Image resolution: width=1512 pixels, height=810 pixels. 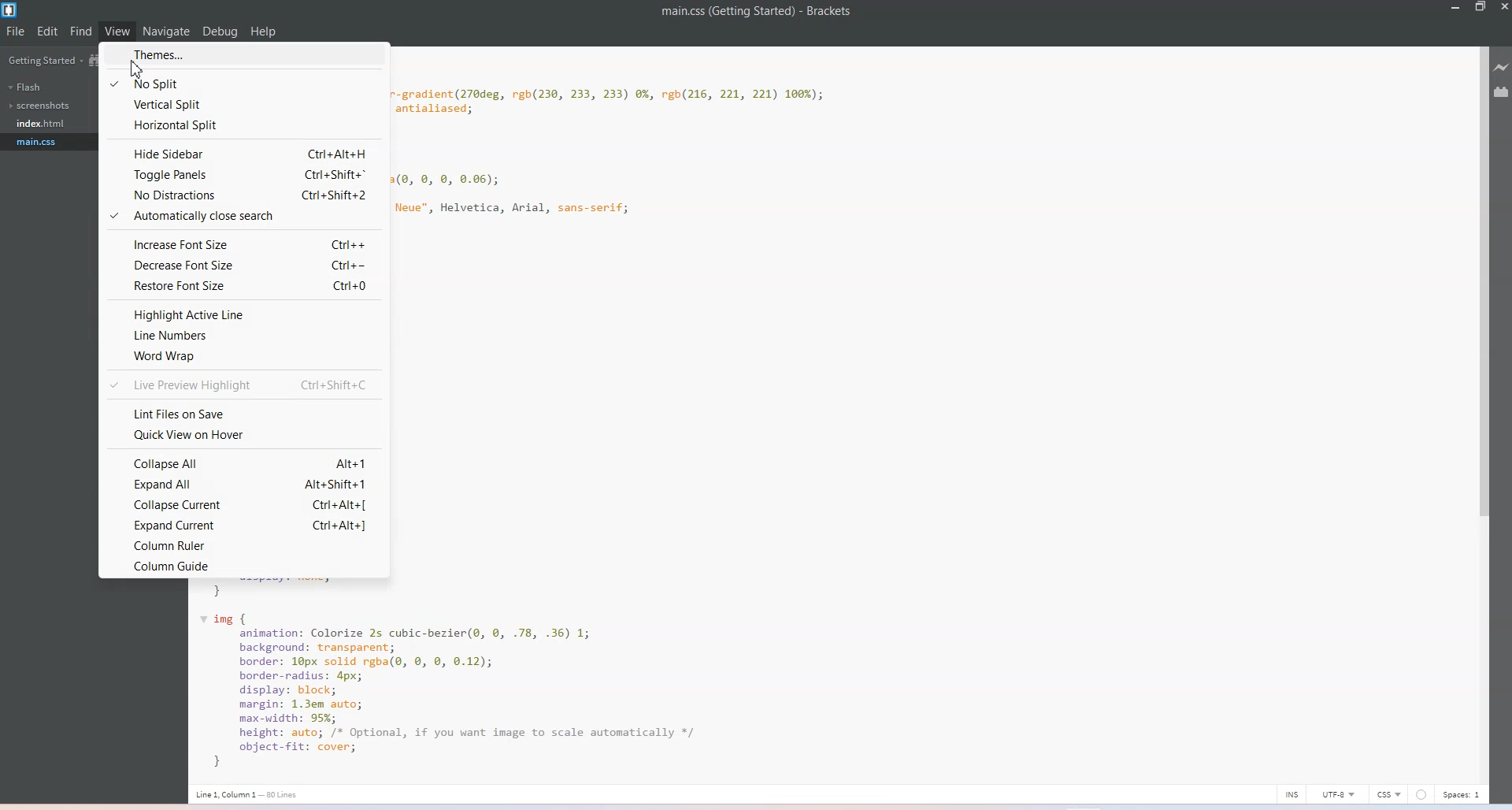 I want to click on Collapse current, so click(x=243, y=504).